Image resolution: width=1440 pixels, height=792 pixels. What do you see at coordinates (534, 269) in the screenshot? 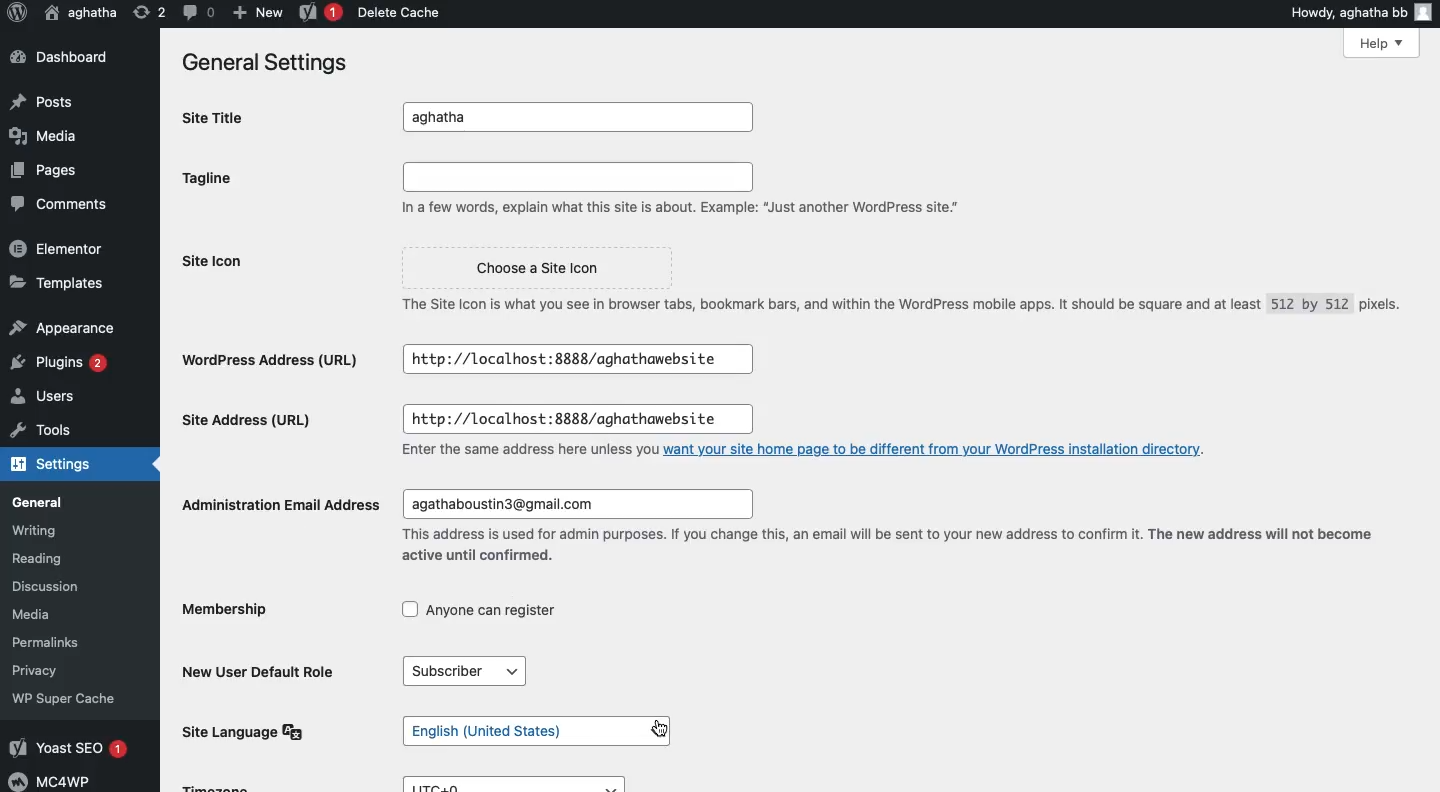
I see `Choose a Site Icon` at bounding box center [534, 269].